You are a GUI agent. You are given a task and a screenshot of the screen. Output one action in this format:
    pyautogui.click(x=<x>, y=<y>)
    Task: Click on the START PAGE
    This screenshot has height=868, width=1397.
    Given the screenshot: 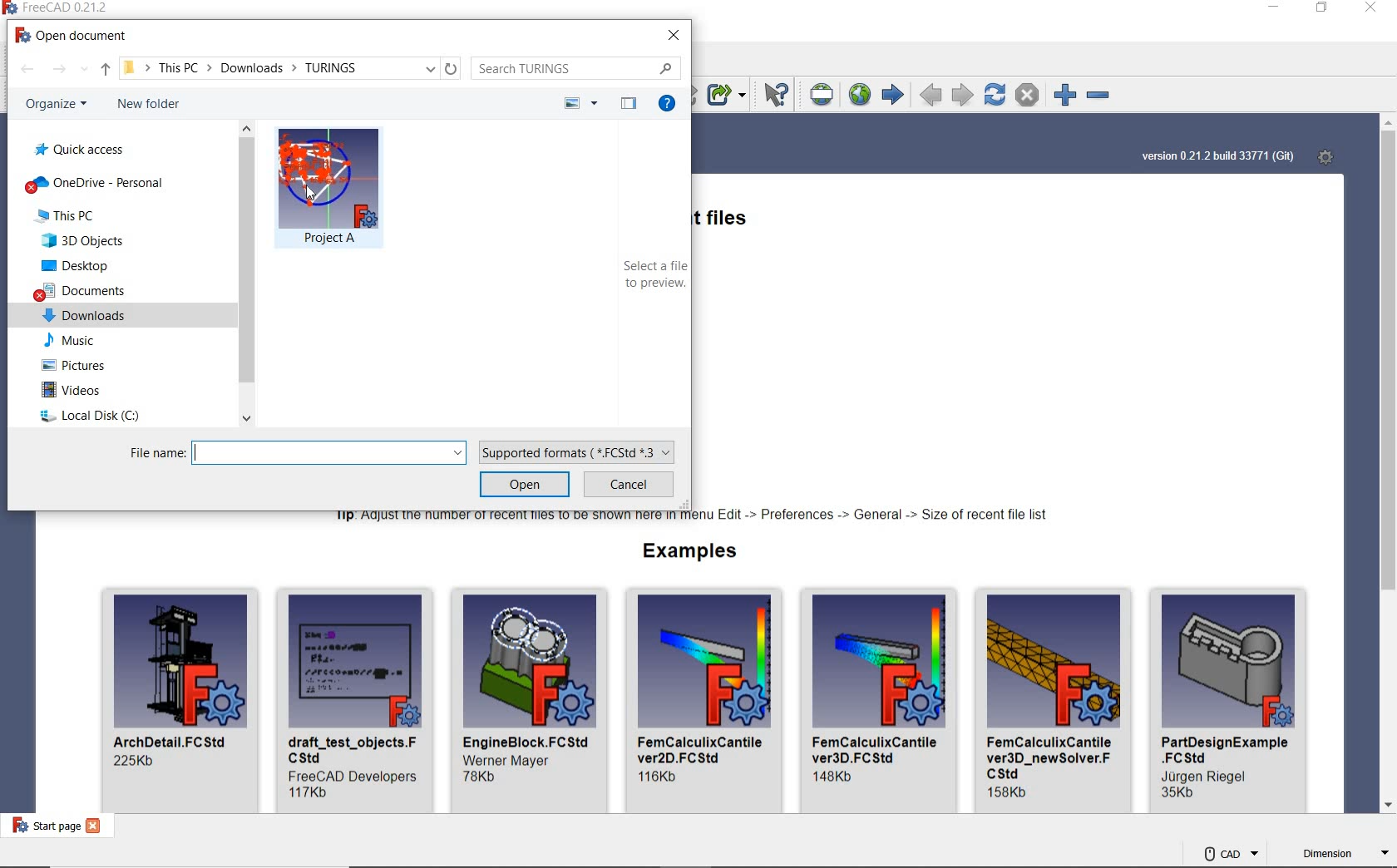 What is the action you would take?
    pyautogui.click(x=42, y=825)
    